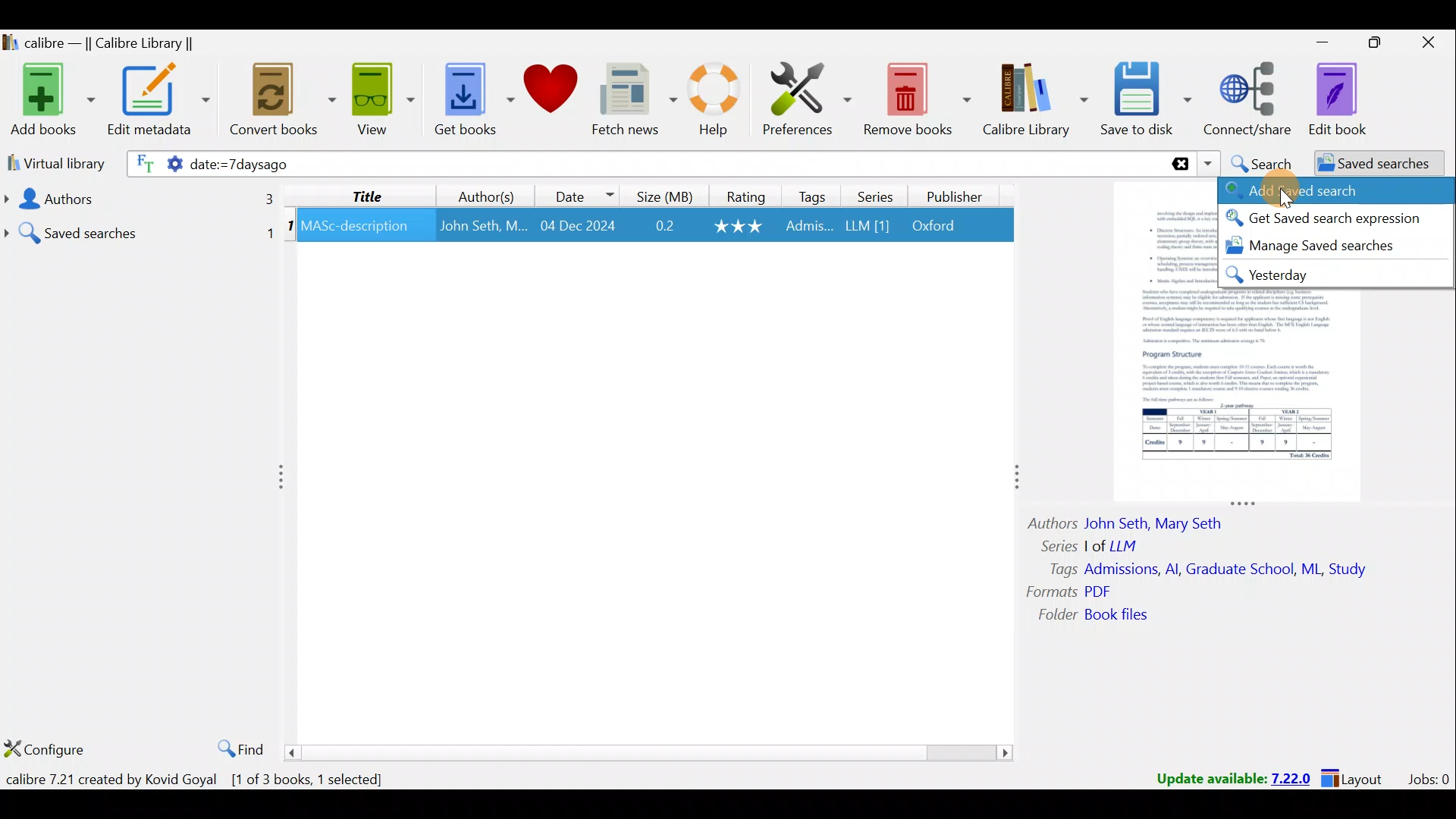 Image resolution: width=1456 pixels, height=819 pixels. Describe the element at coordinates (1015, 481) in the screenshot. I see `adjust column to right` at that location.